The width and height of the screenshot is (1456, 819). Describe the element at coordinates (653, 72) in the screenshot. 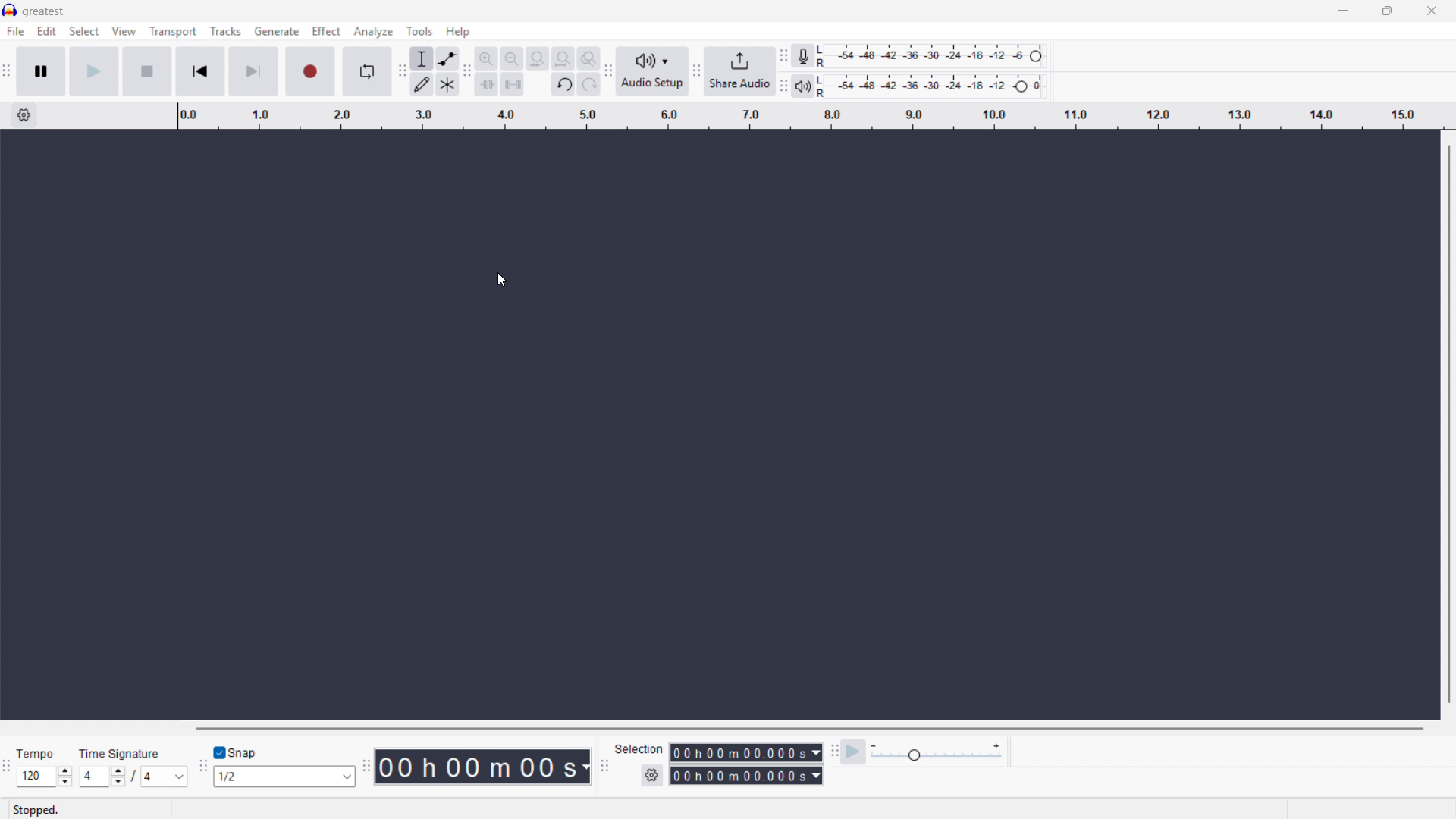

I see `Audio setup ` at that location.